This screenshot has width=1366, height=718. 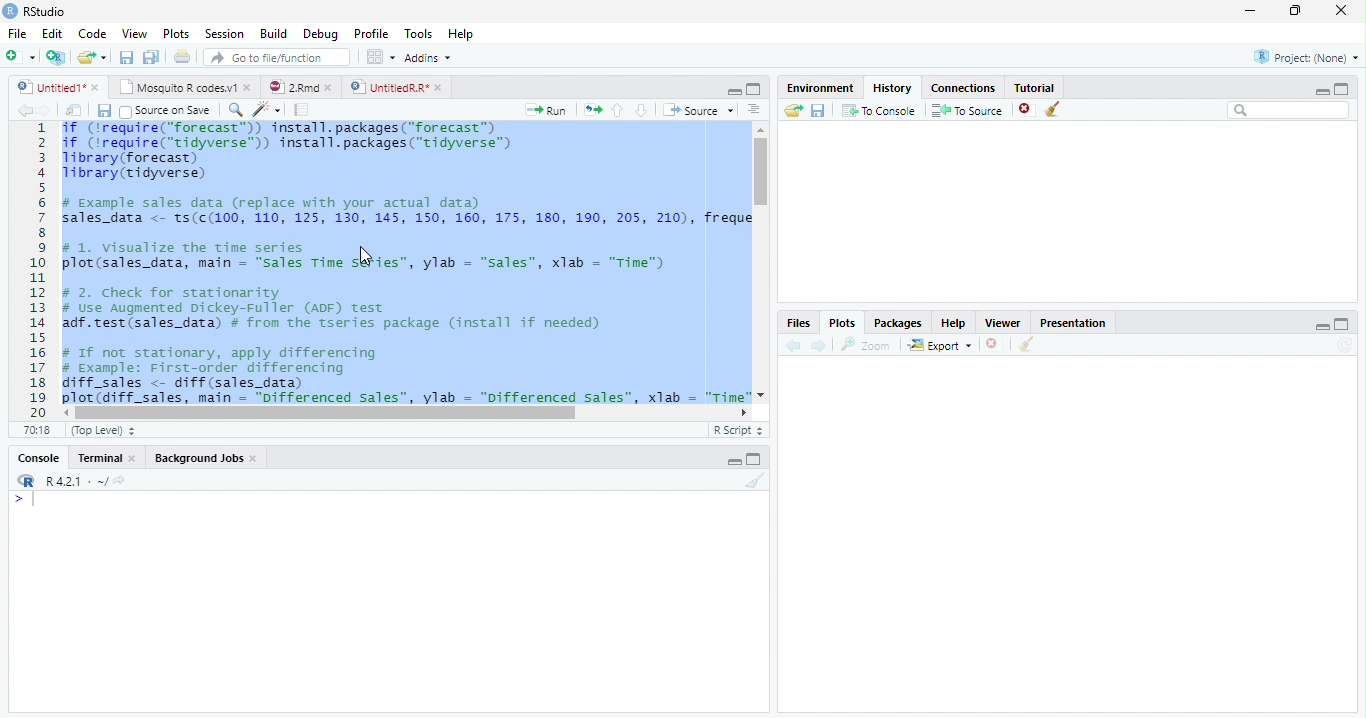 What do you see at coordinates (801, 323) in the screenshot?
I see `Files` at bounding box center [801, 323].